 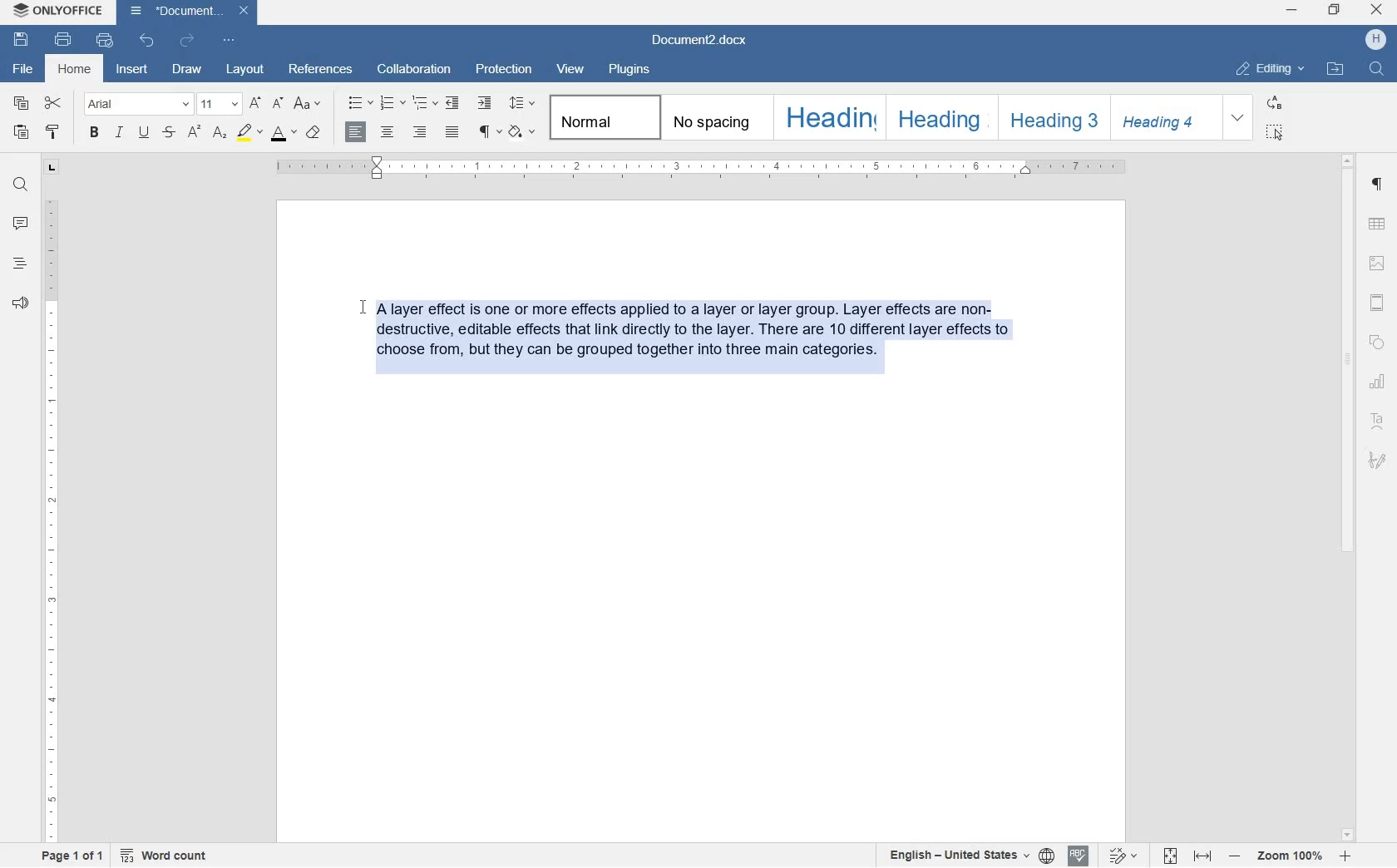 I want to click on hp, so click(x=1375, y=40).